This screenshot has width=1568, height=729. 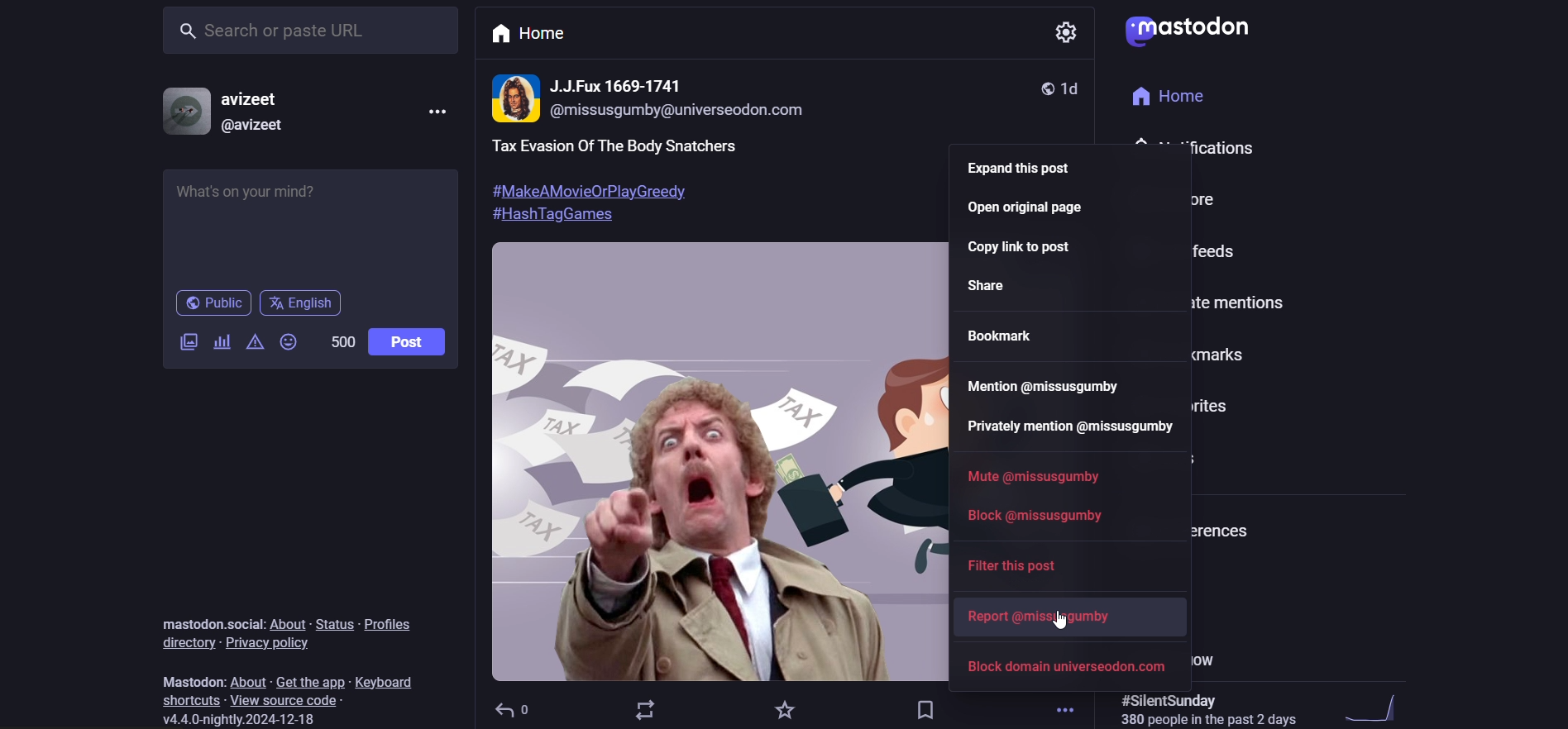 I want to click on mastodon, so click(x=185, y=678).